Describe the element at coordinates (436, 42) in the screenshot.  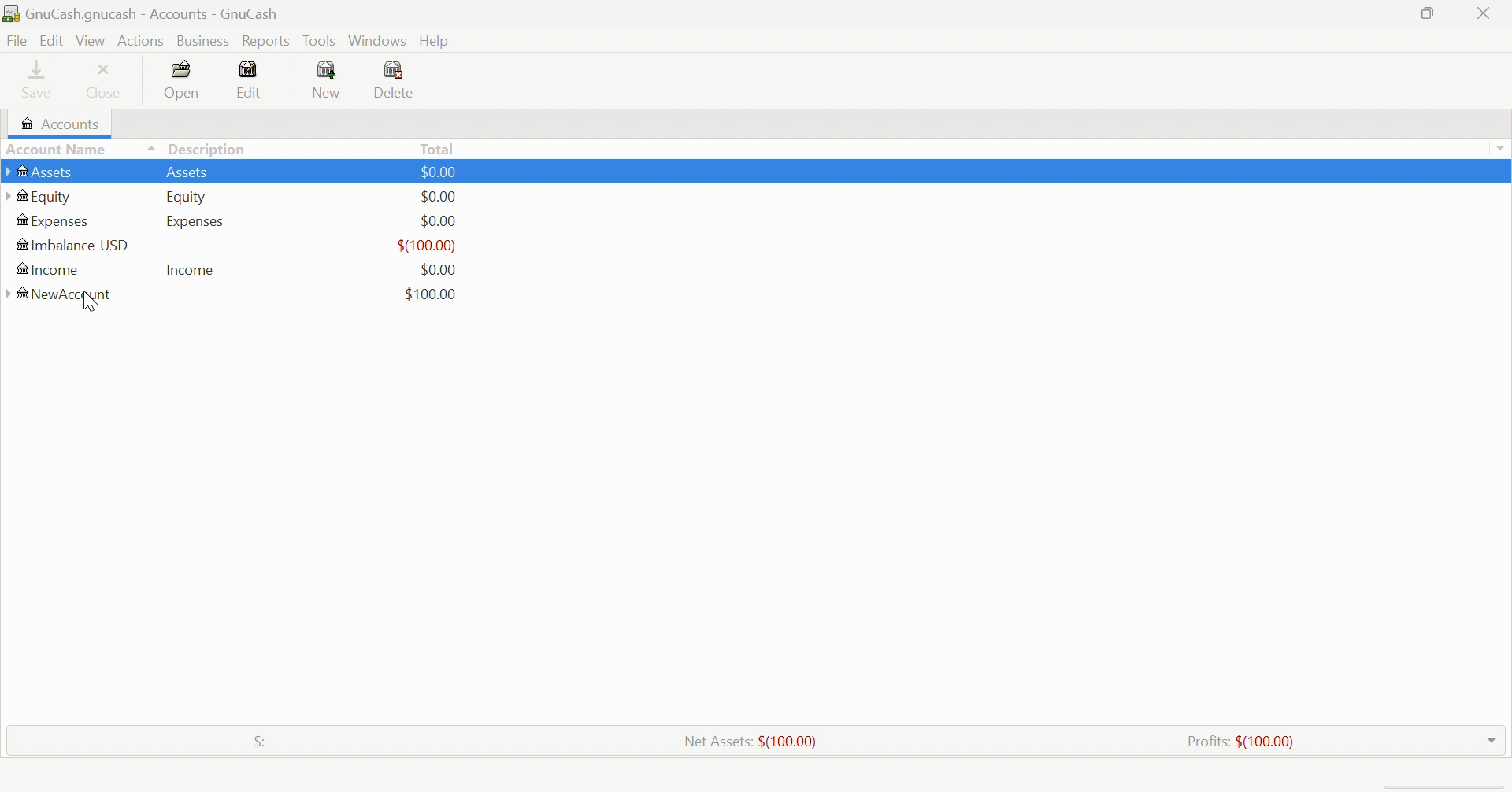
I see `Help` at that location.